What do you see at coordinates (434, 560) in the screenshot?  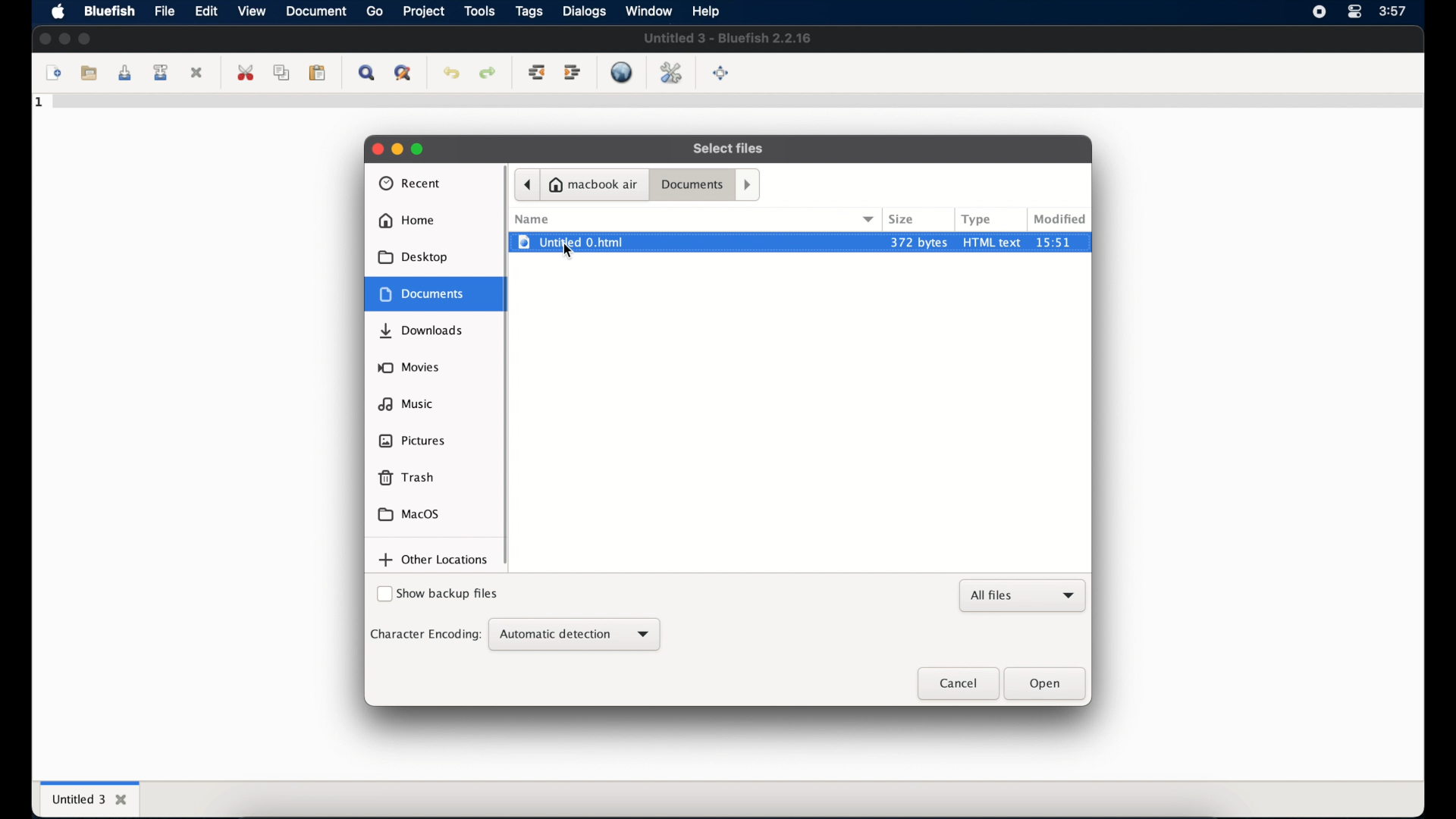 I see `other locations` at bounding box center [434, 560].